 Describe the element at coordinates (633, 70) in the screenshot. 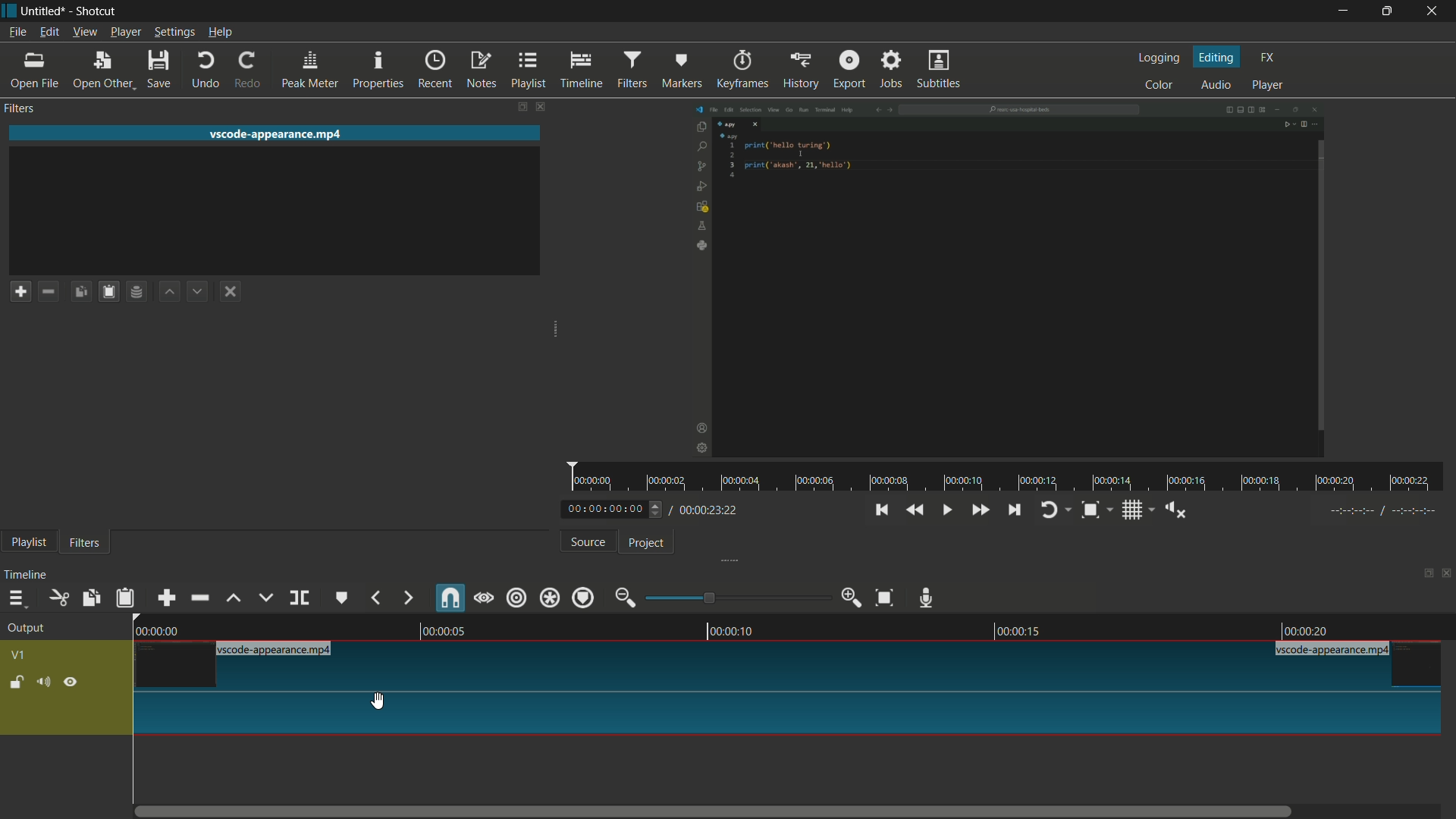

I see `filters` at that location.